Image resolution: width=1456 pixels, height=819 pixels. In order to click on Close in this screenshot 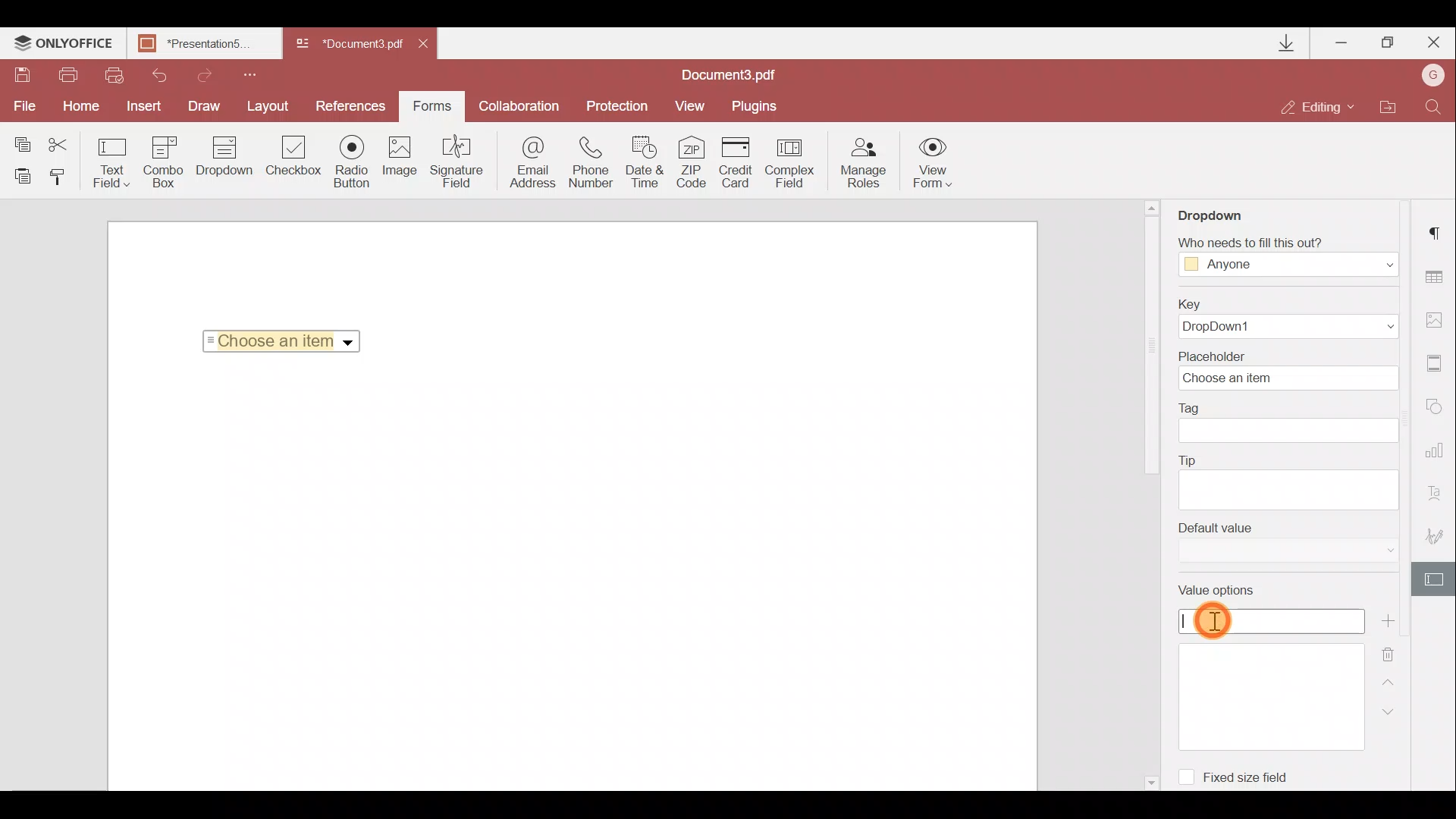, I will do `click(1432, 39)`.